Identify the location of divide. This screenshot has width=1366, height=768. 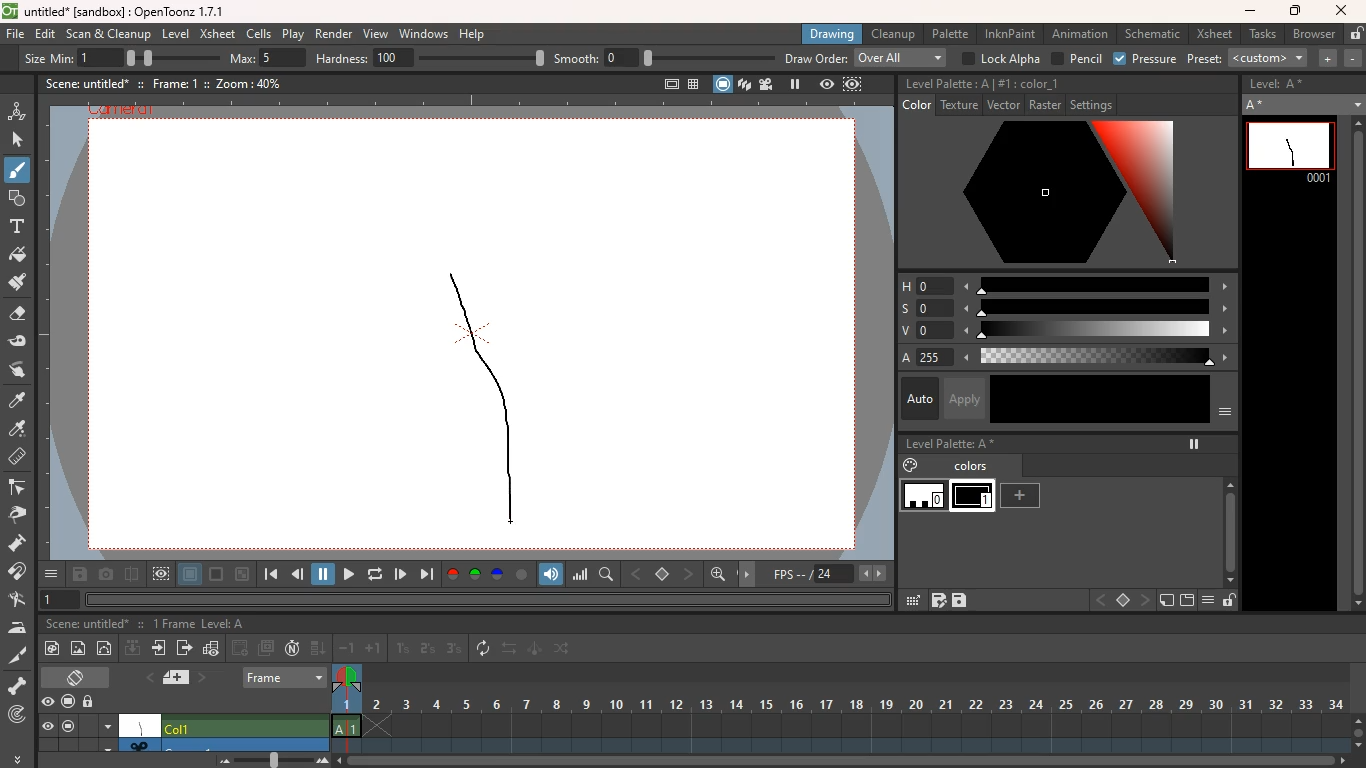
(131, 573).